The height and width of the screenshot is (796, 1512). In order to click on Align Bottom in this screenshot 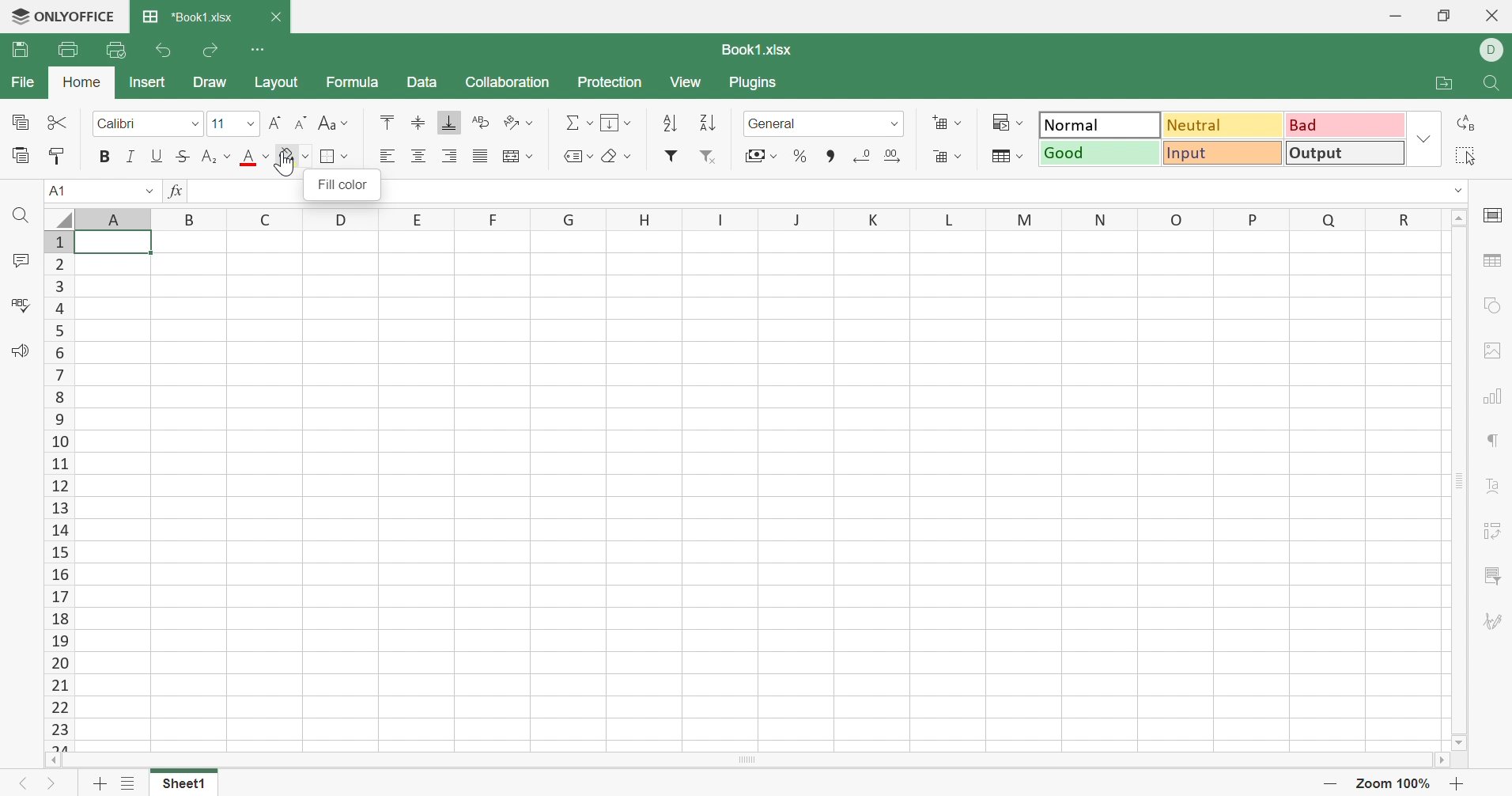, I will do `click(449, 122)`.